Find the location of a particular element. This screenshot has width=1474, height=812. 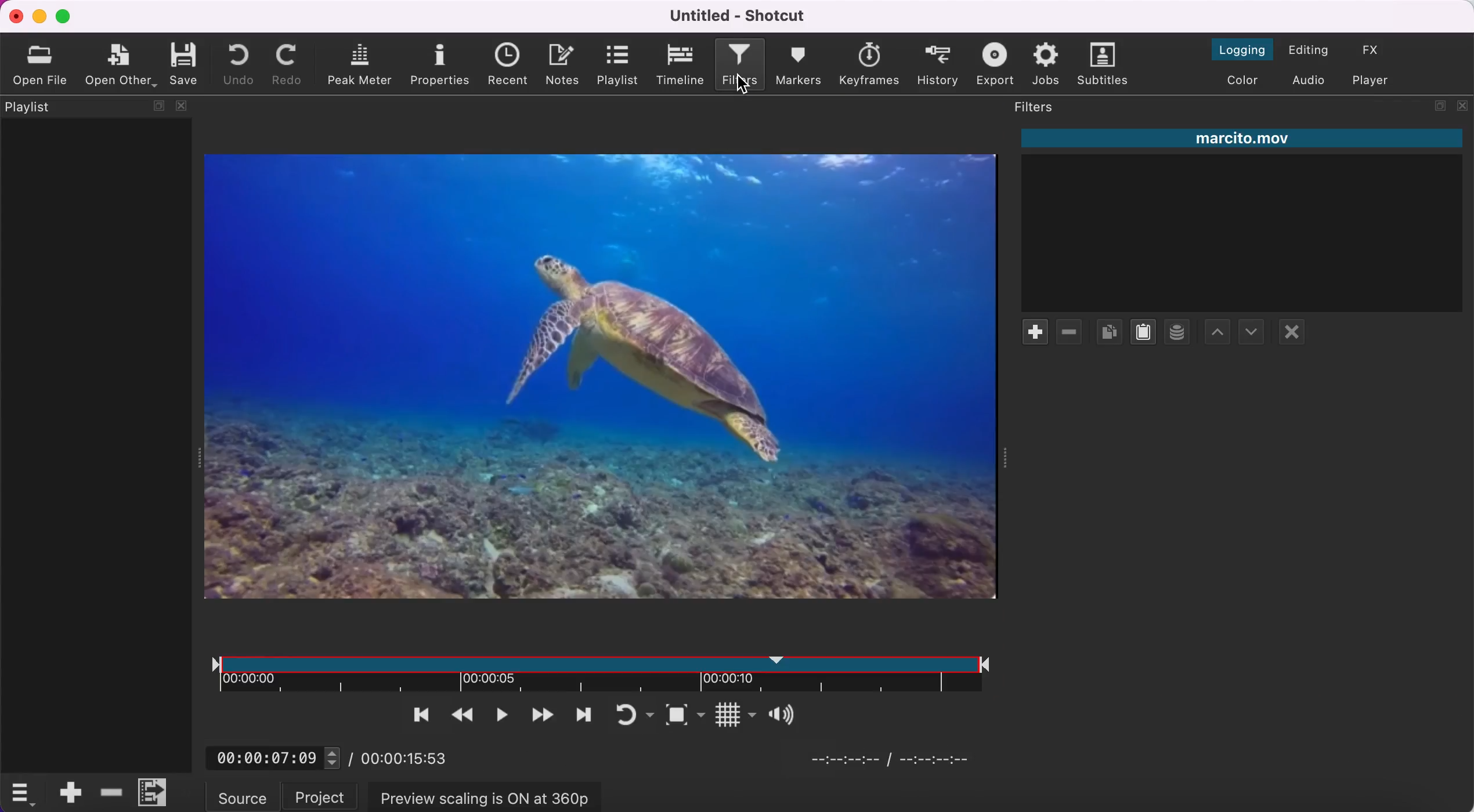

move filter up is located at coordinates (1253, 334).